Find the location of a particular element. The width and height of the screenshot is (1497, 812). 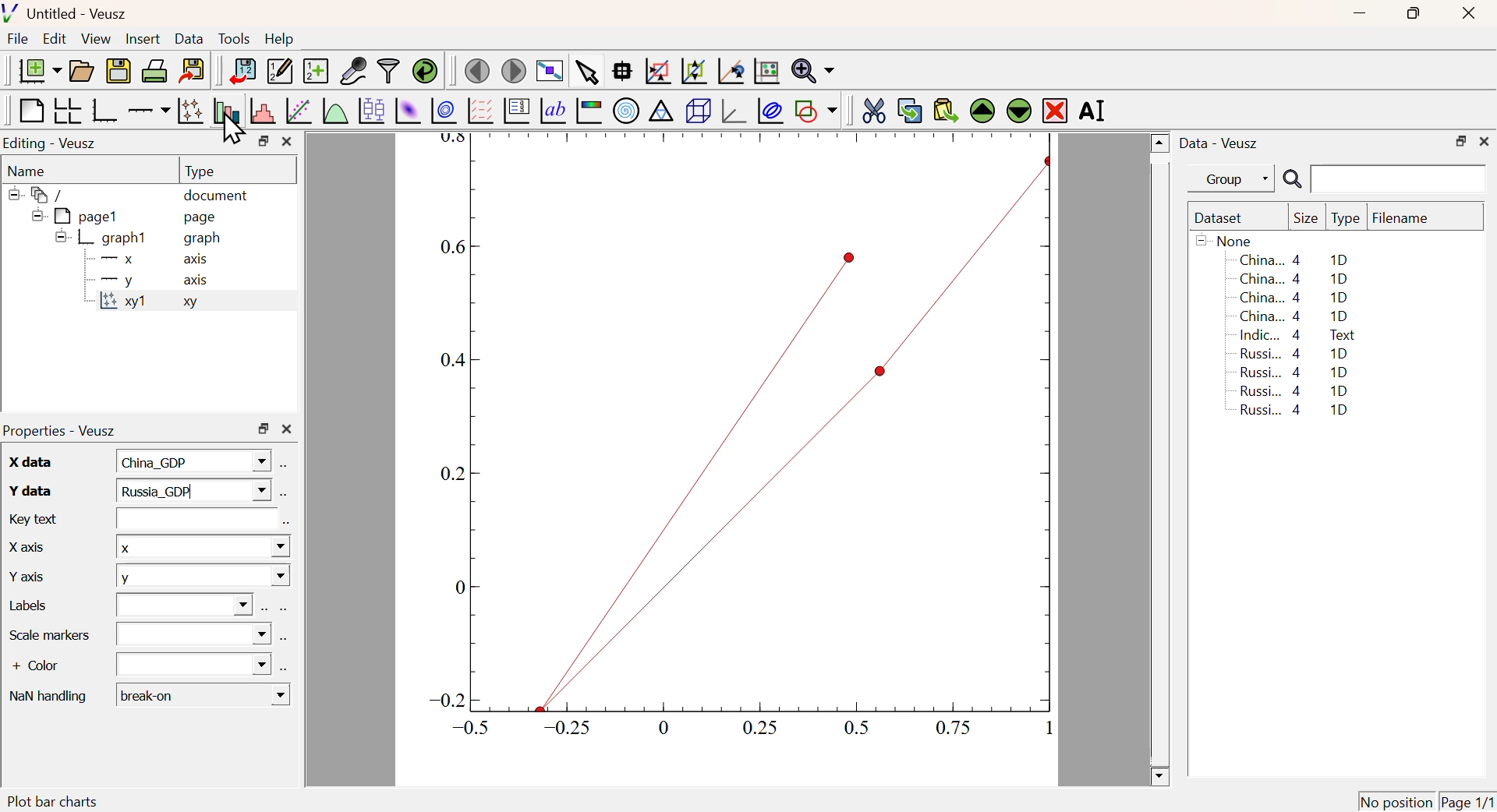

Rename is located at coordinates (1095, 110).